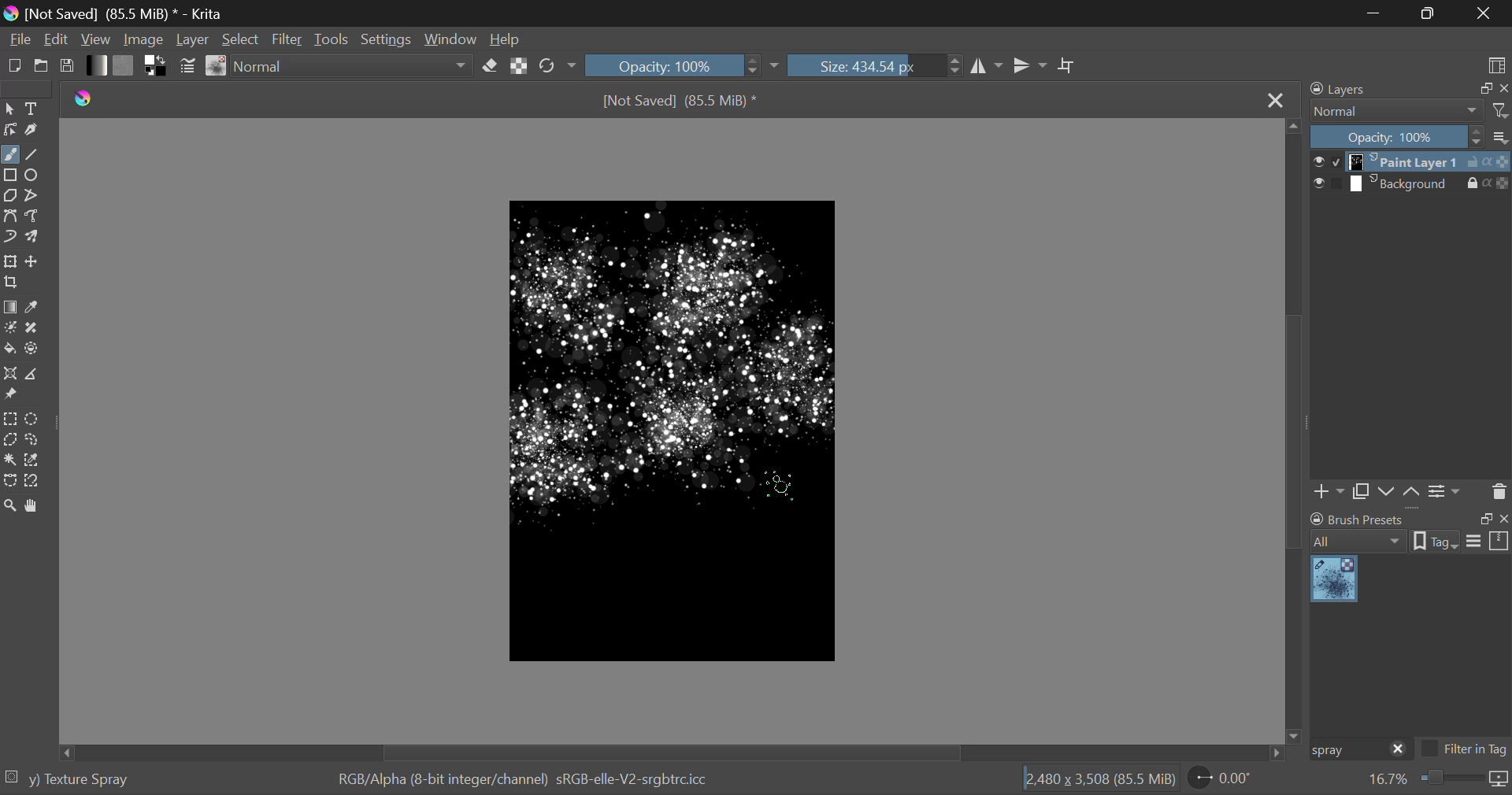 Image resolution: width=1512 pixels, height=795 pixels. What do you see at coordinates (506, 36) in the screenshot?
I see `Help` at bounding box center [506, 36].